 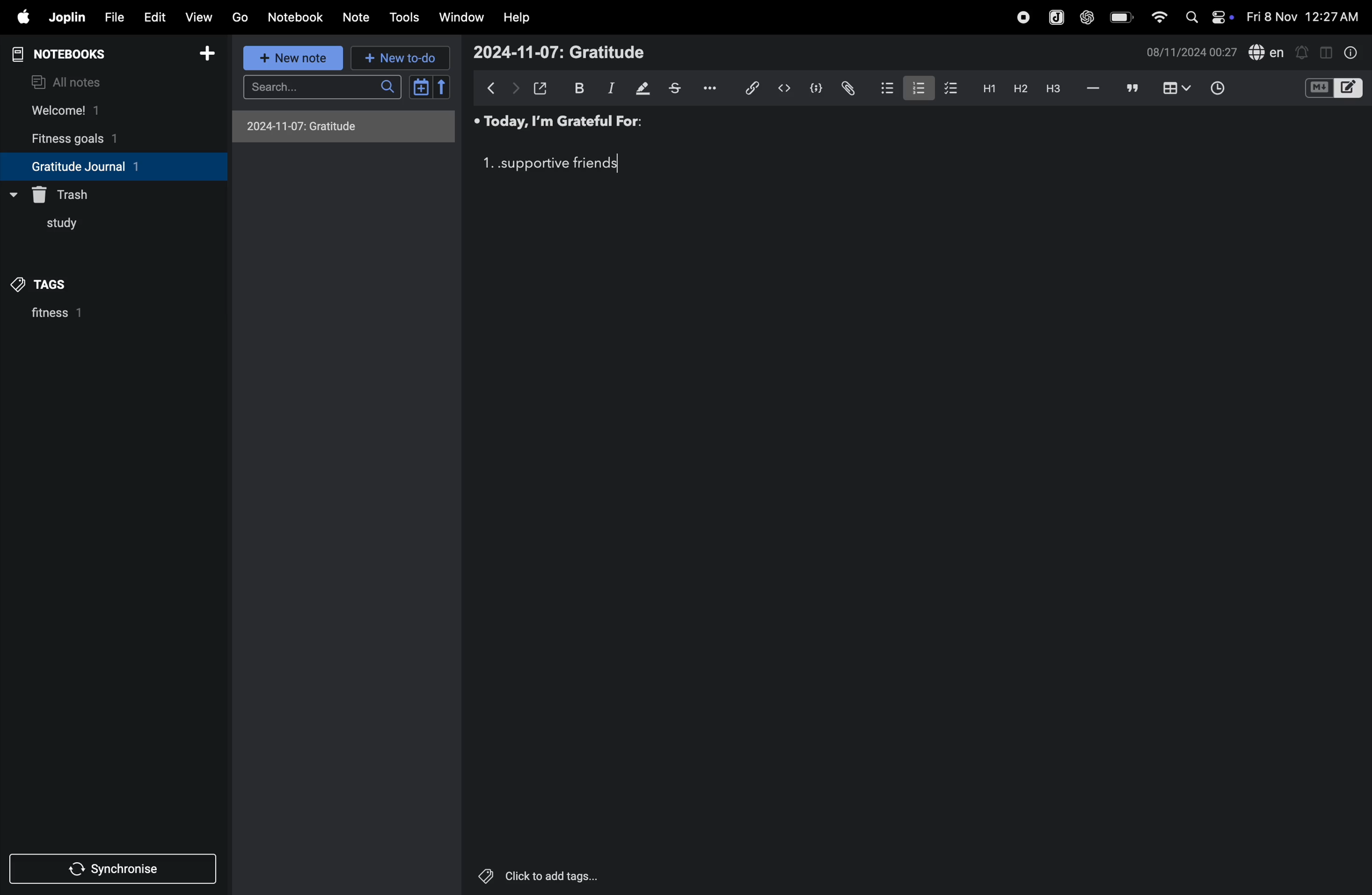 I want to click on trash, so click(x=68, y=193).